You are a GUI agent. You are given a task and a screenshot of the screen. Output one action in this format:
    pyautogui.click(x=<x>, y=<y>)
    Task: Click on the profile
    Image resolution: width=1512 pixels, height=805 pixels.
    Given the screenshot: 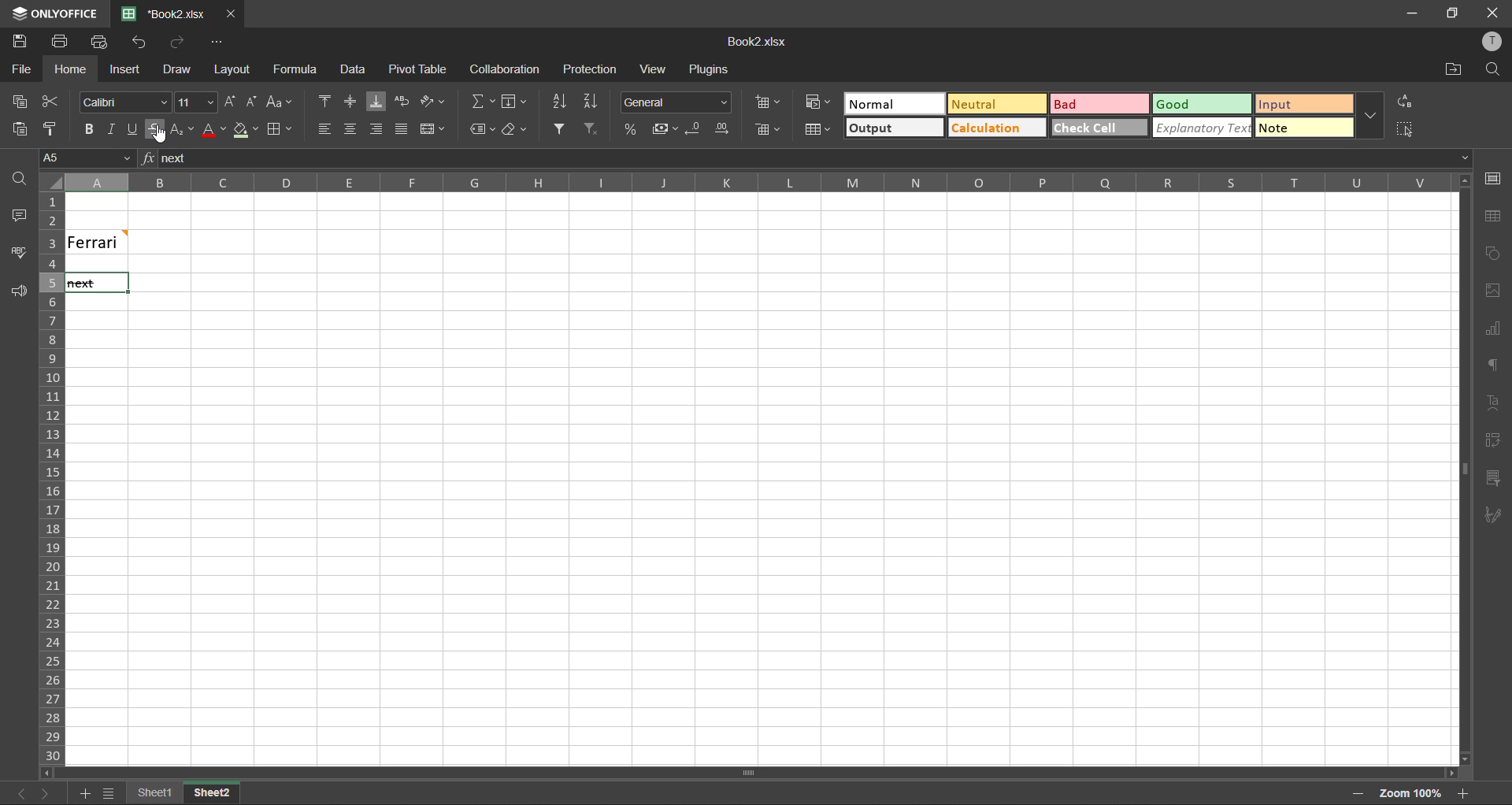 What is the action you would take?
    pyautogui.click(x=1494, y=43)
    